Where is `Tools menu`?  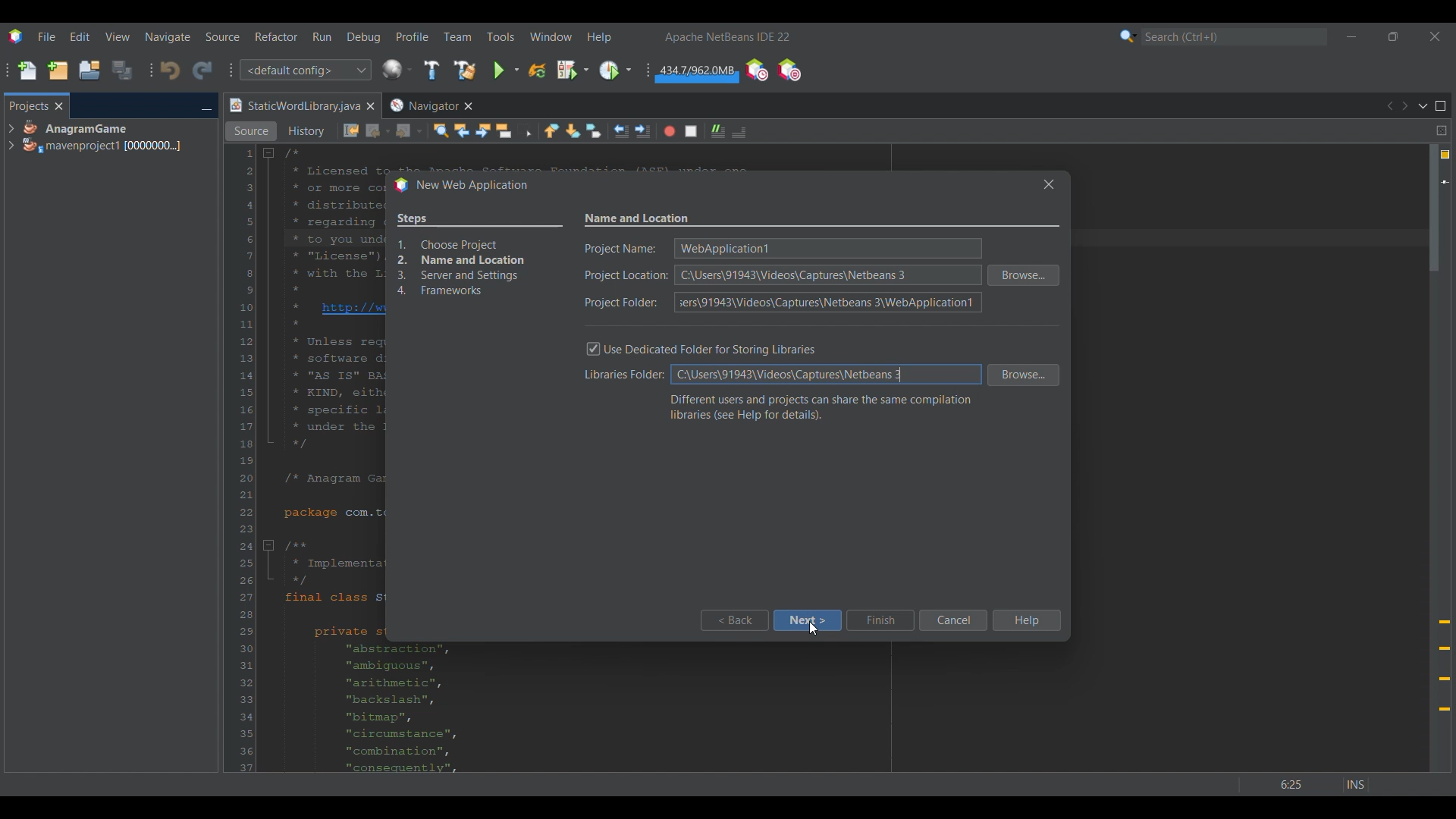
Tools menu is located at coordinates (500, 36).